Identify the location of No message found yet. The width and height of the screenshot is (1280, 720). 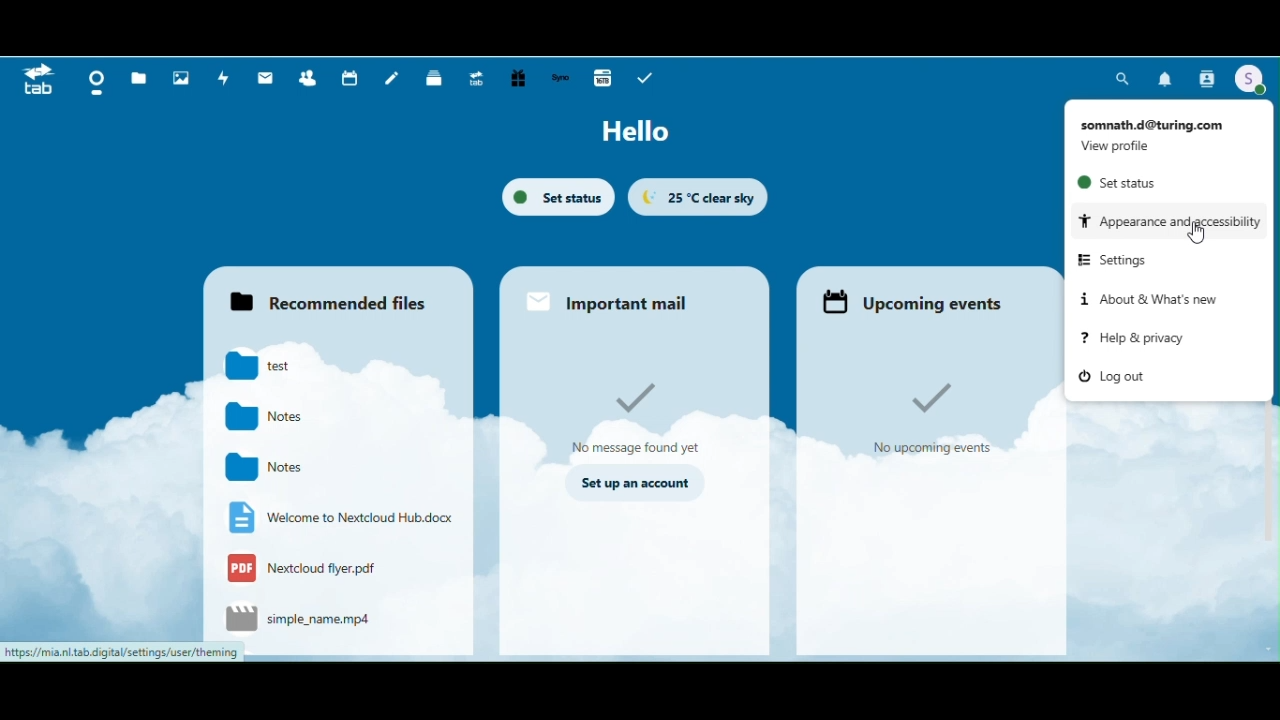
(636, 417).